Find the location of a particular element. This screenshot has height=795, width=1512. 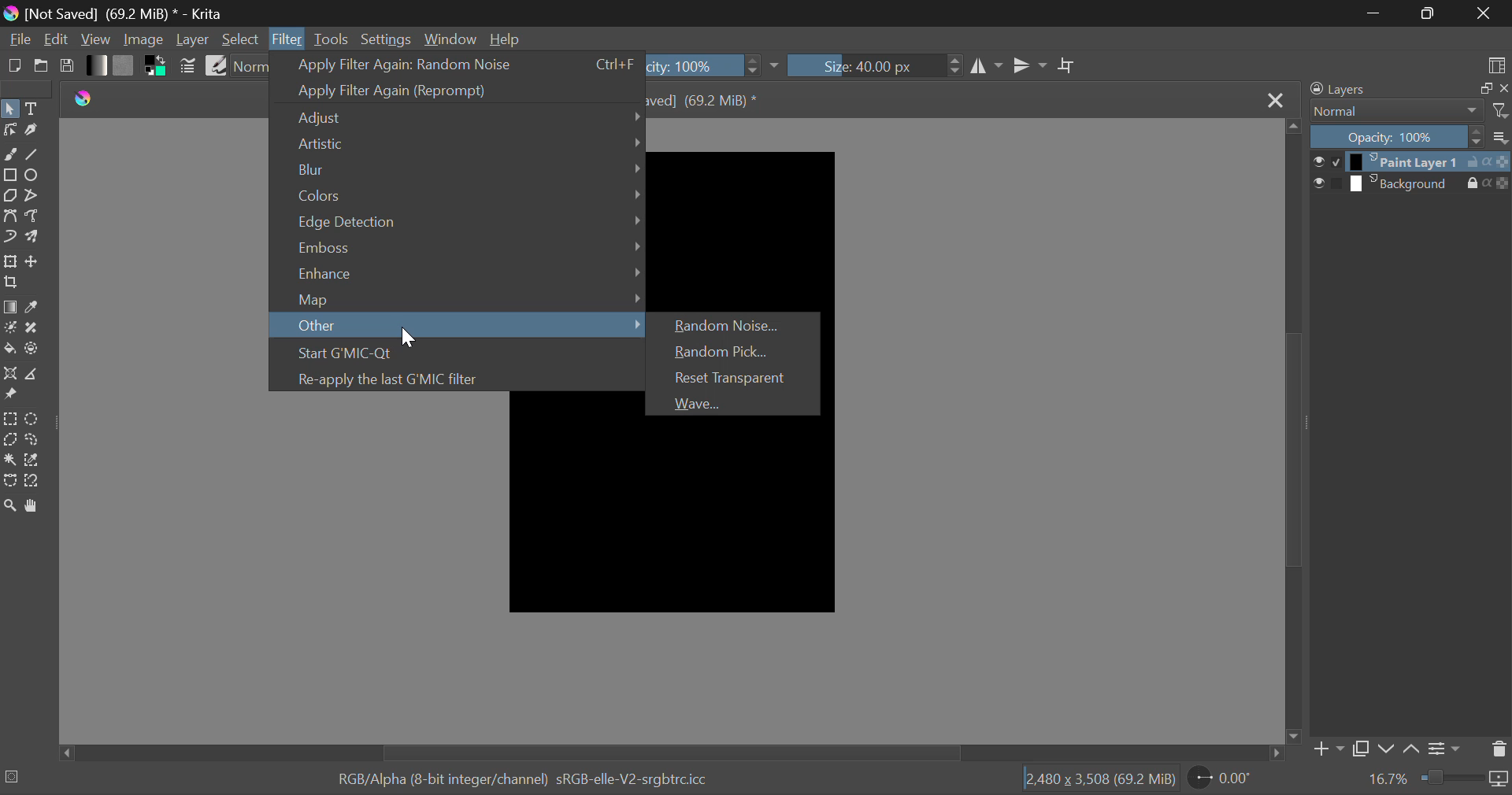

move left is located at coordinates (63, 752).